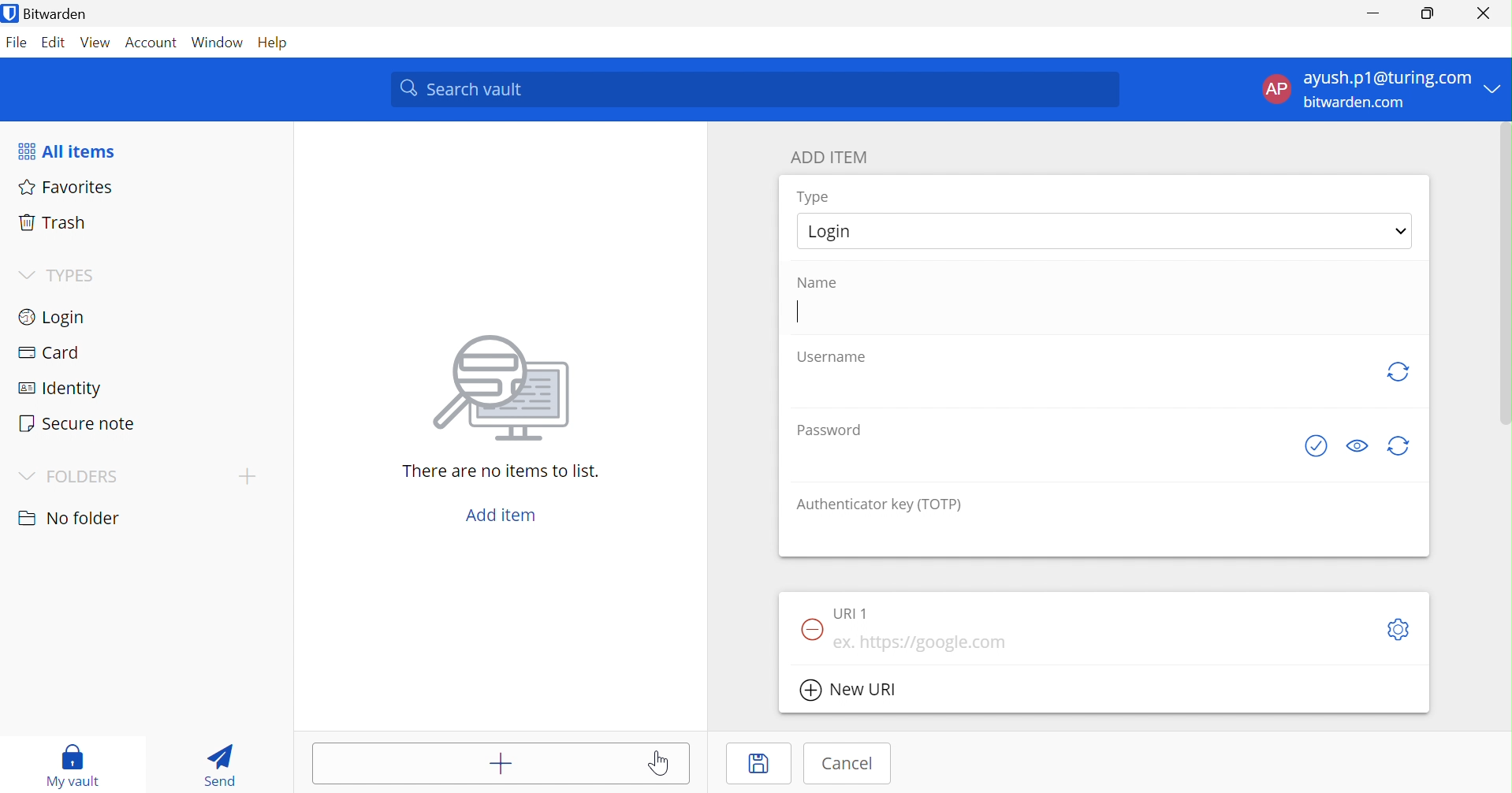 Image resolution: width=1512 pixels, height=793 pixels. What do you see at coordinates (502, 472) in the screenshot?
I see `There are no items to list.` at bounding box center [502, 472].